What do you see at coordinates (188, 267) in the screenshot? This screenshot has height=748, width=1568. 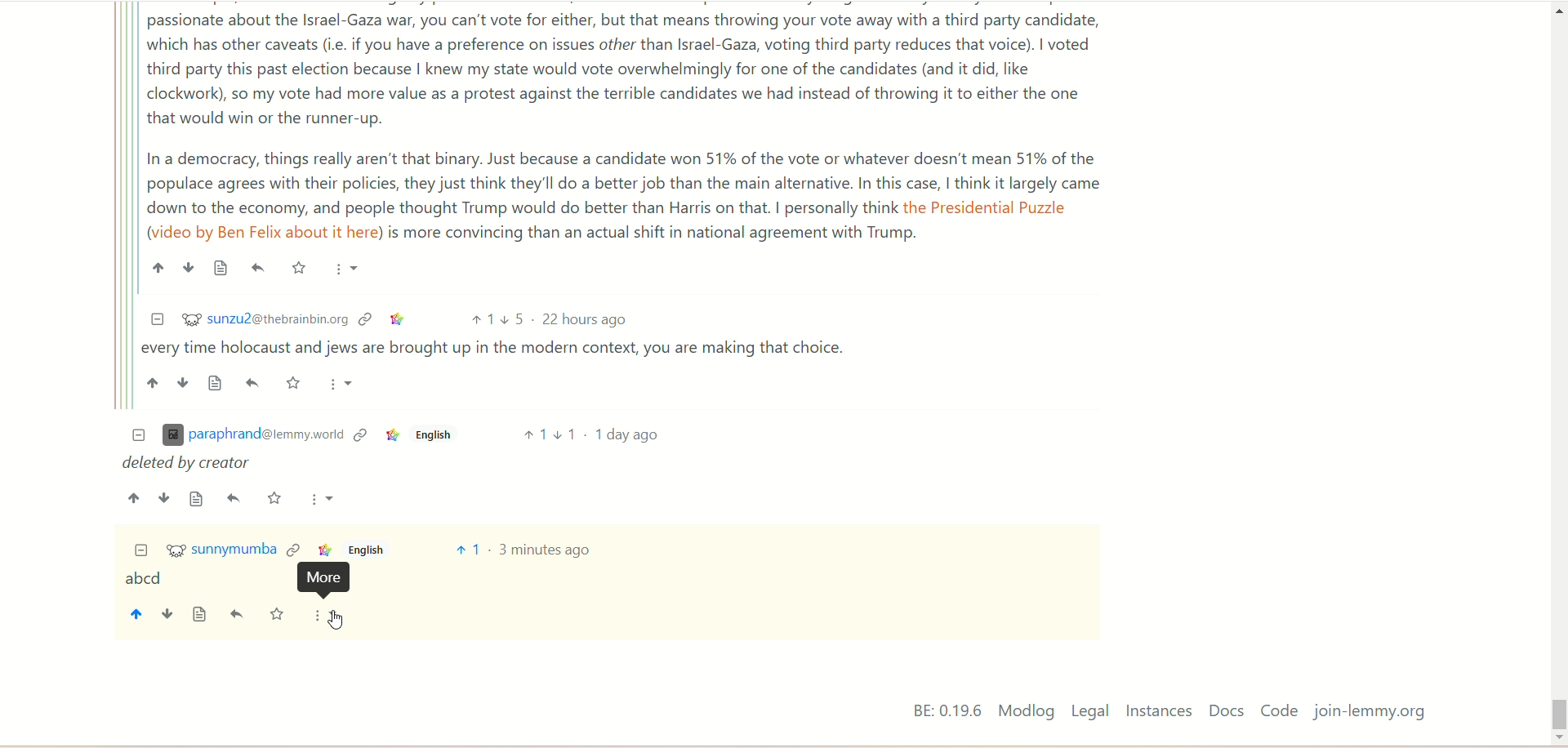 I see `Downvote` at bounding box center [188, 267].